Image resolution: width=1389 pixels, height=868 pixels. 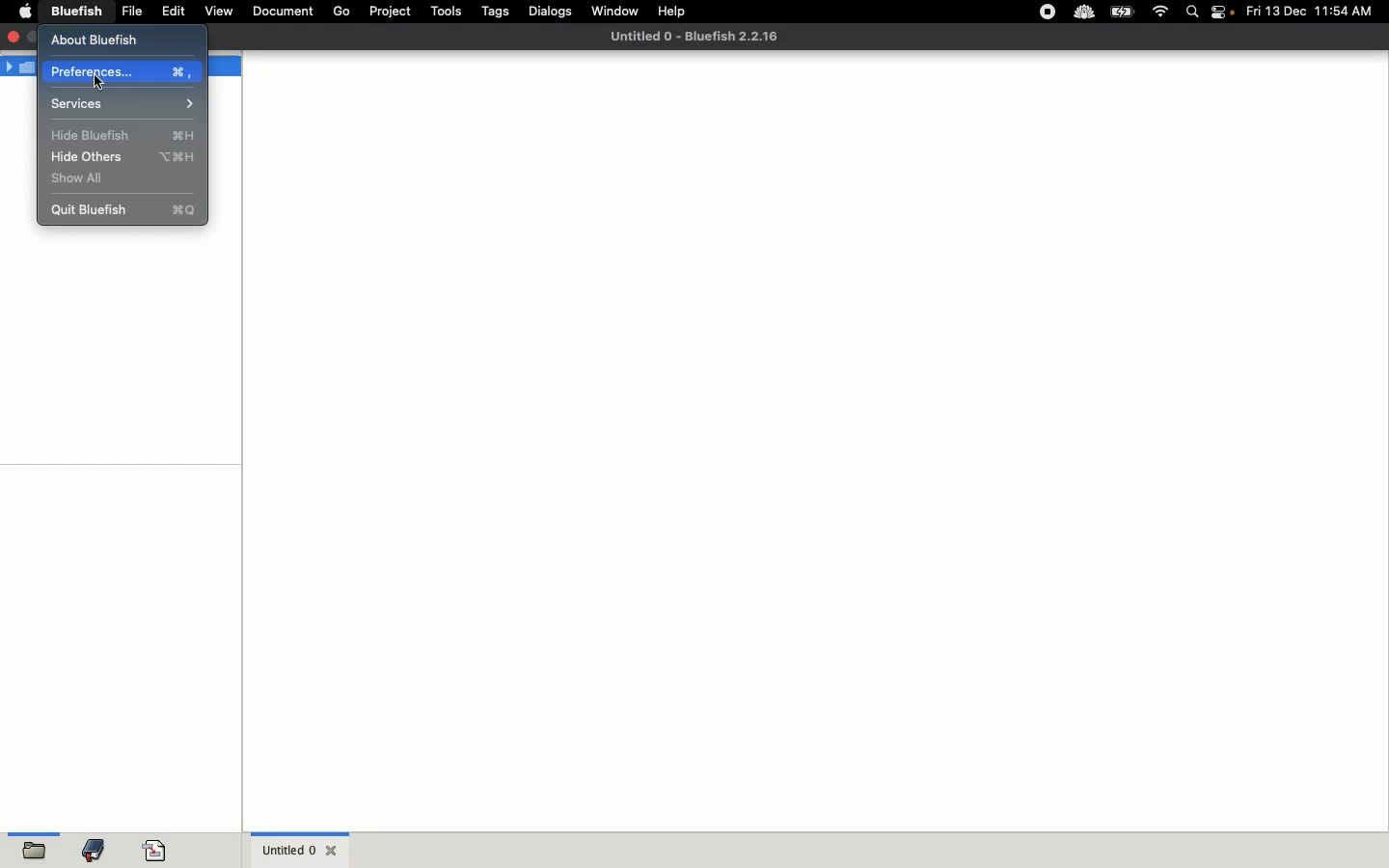 I want to click on Notification, so click(x=1224, y=14).